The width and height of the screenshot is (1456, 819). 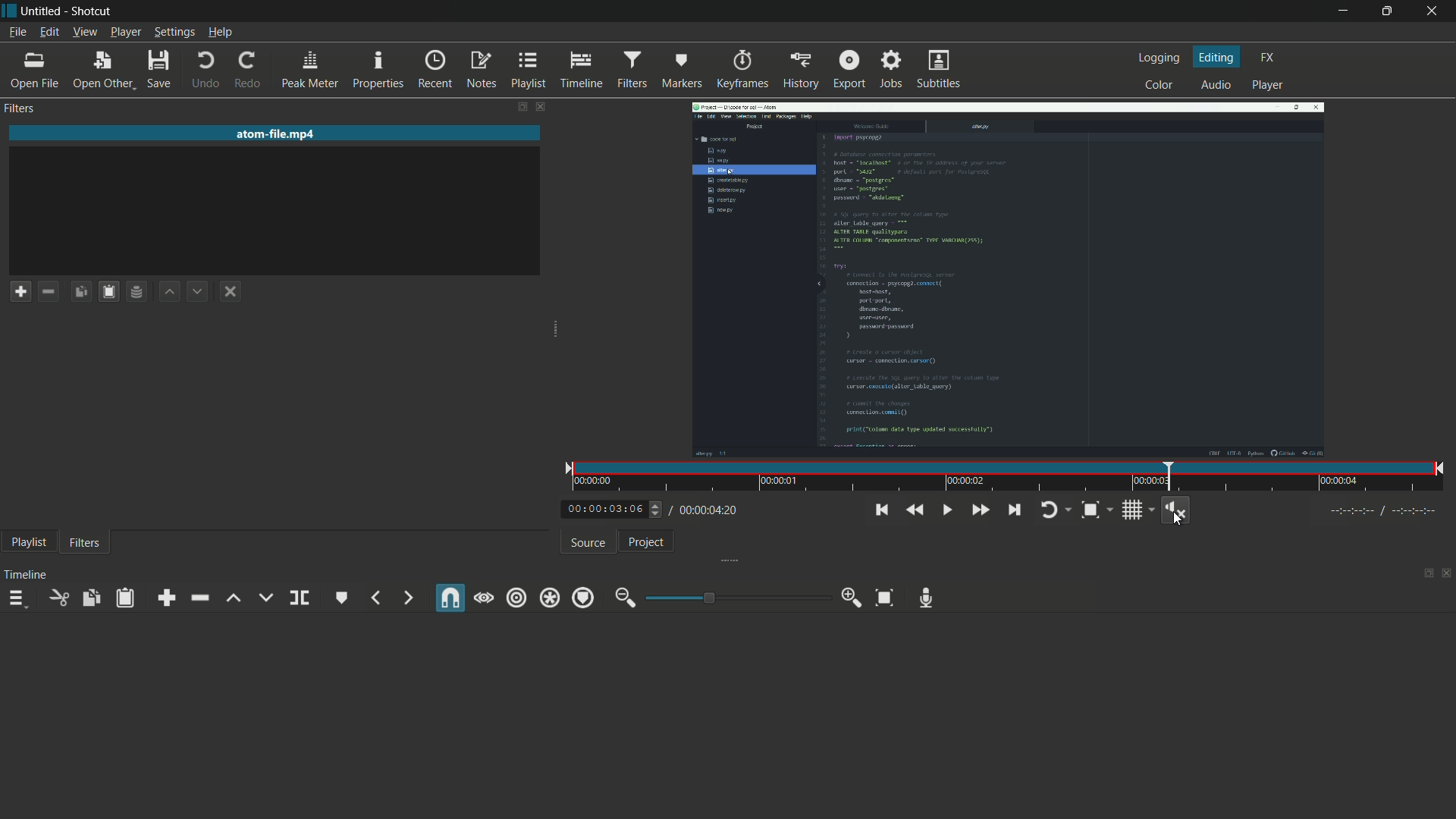 What do you see at coordinates (137, 291) in the screenshot?
I see `save filter set` at bounding box center [137, 291].